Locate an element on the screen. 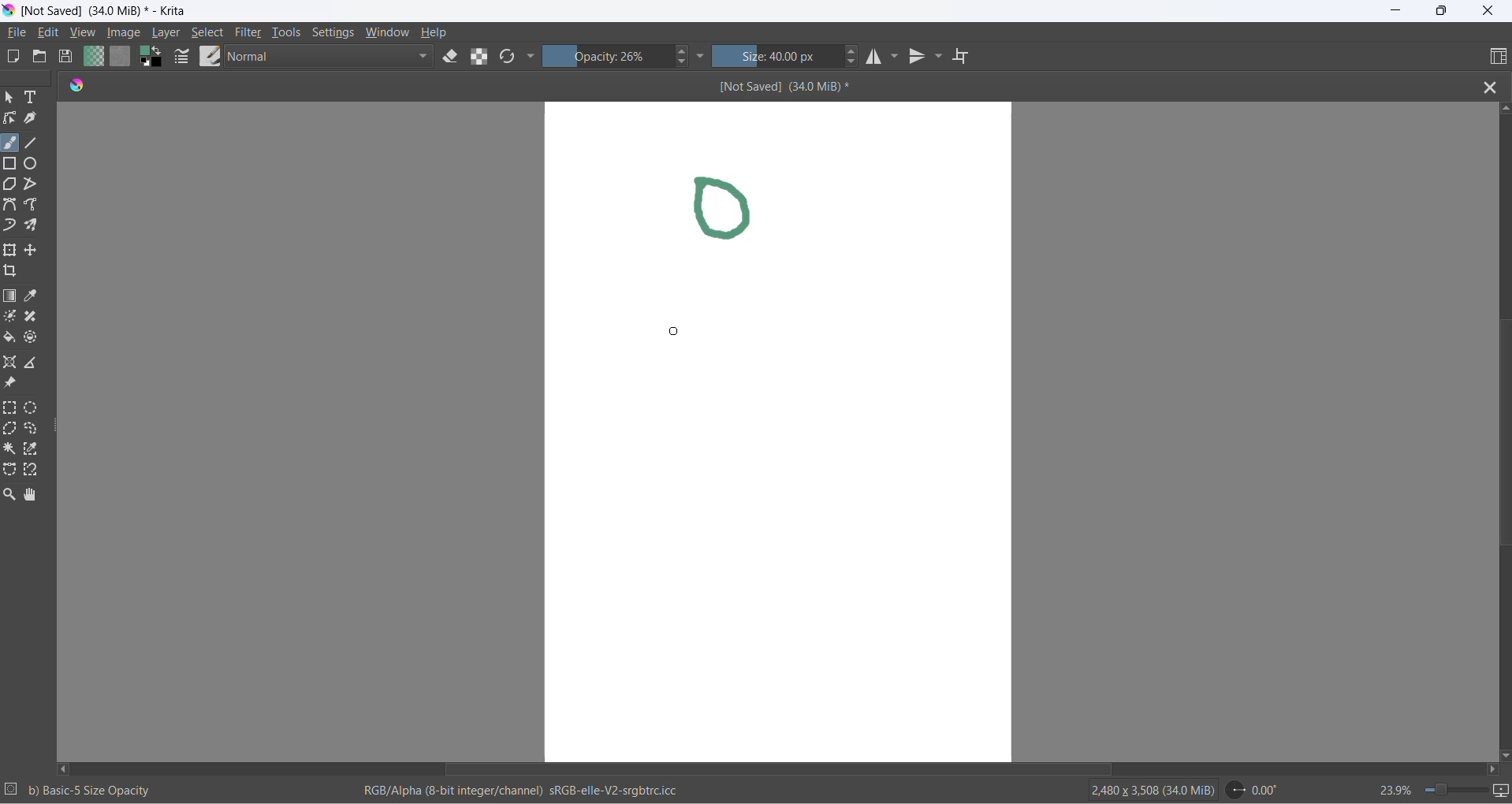  tools is located at coordinates (288, 32).